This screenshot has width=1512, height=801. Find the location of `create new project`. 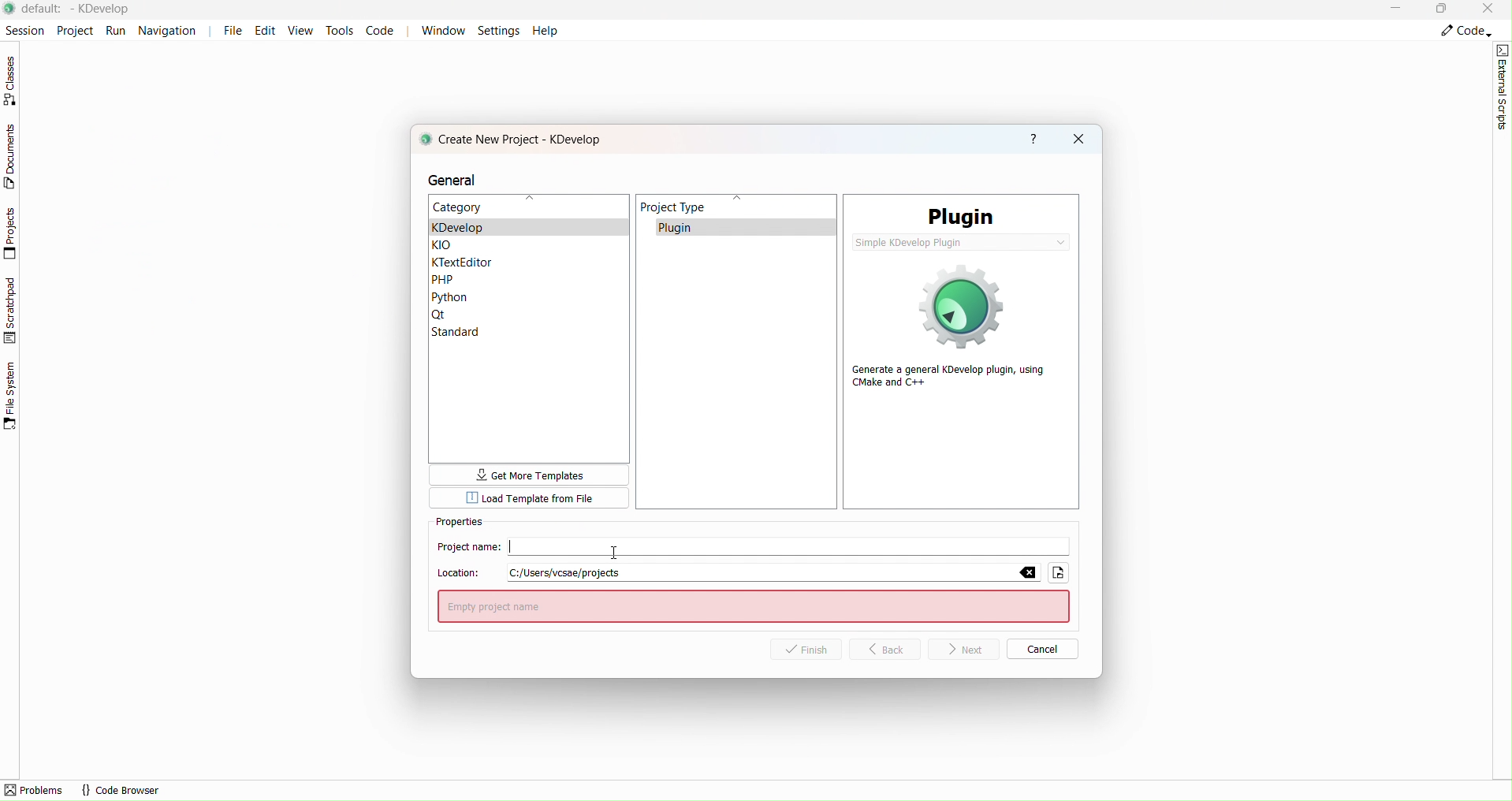

create new project is located at coordinates (516, 139).